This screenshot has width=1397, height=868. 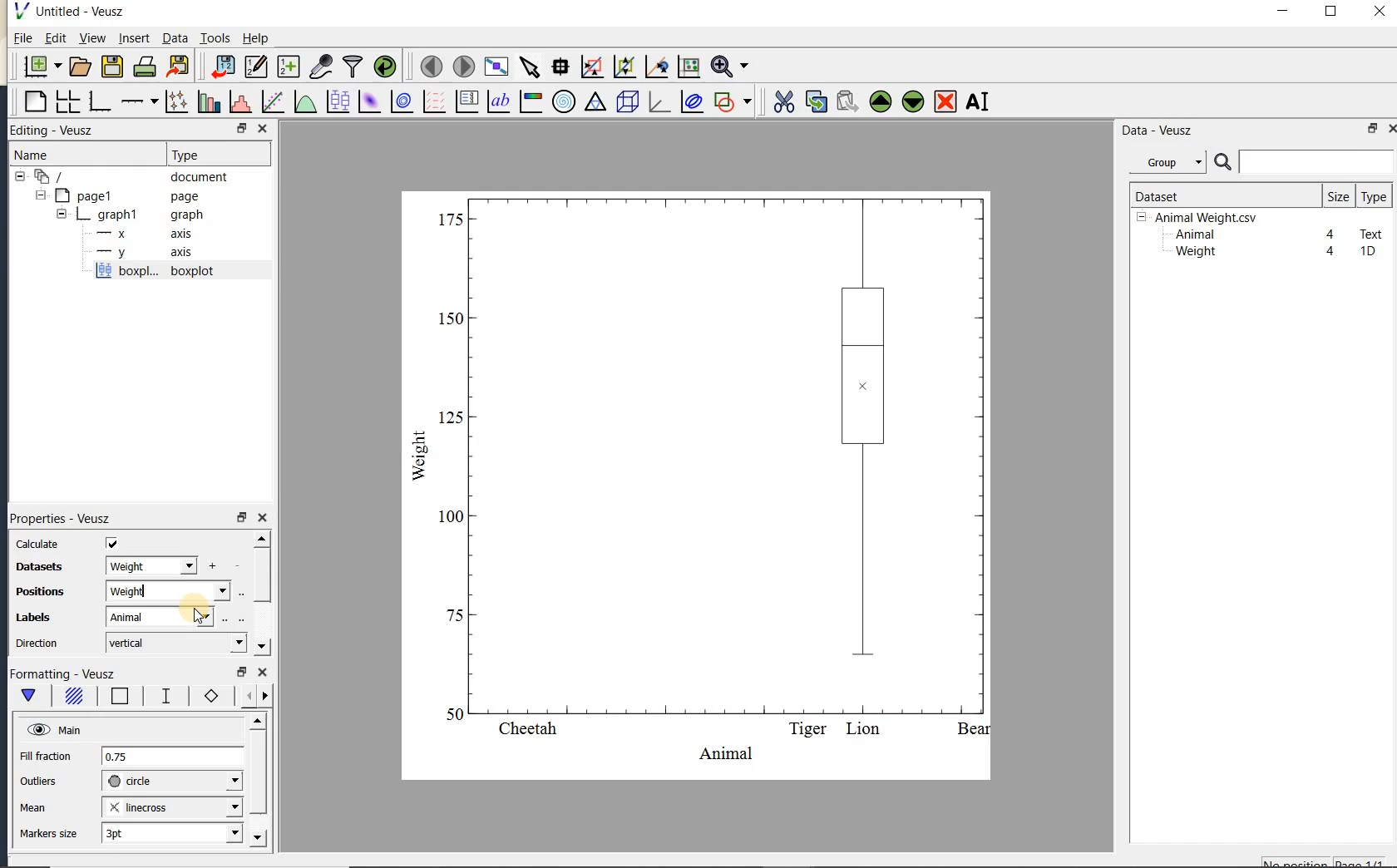 I want to click on move to the next page, so click(x=462, y=65).